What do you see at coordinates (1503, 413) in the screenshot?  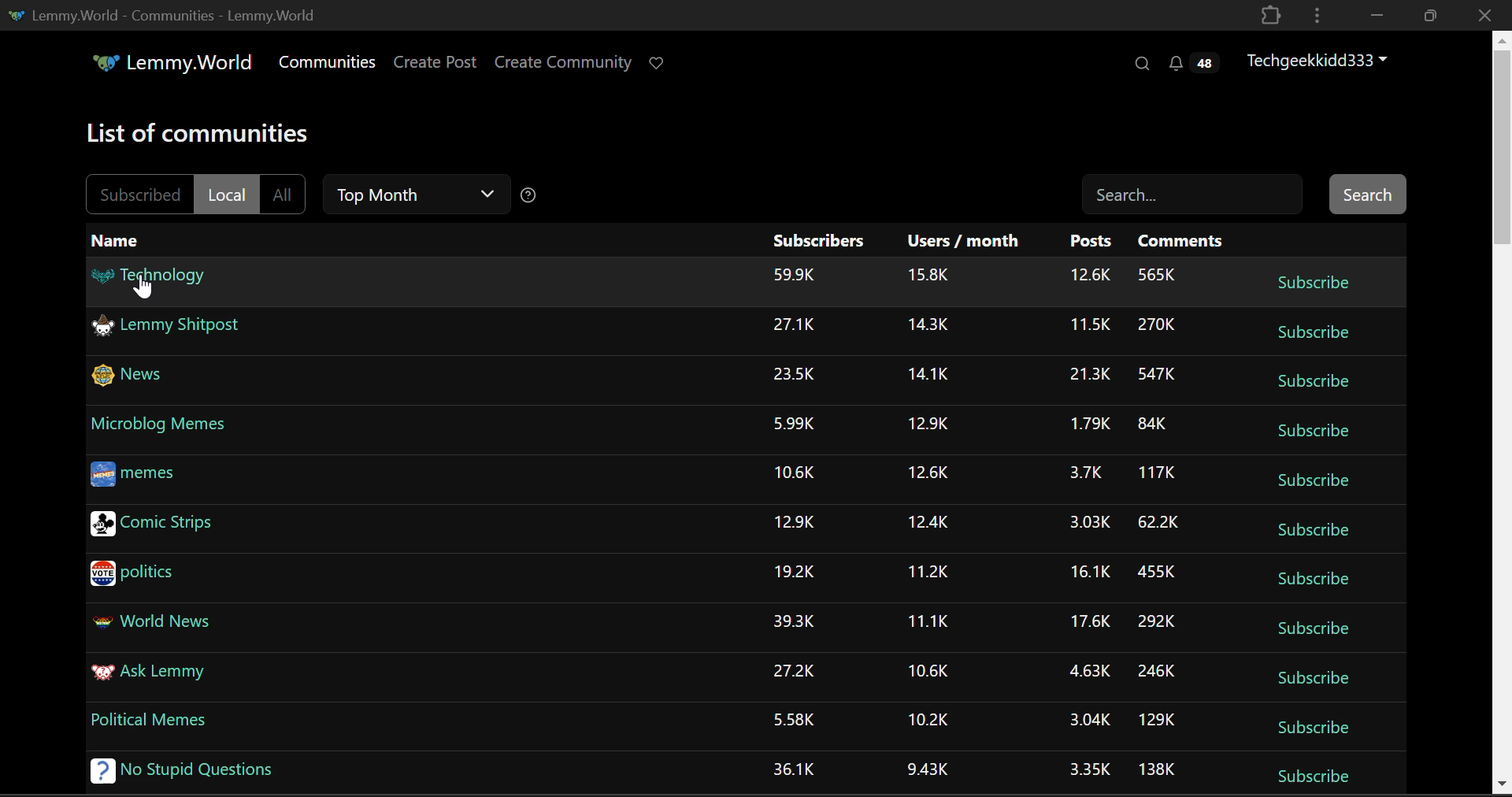 I see `Vertical Scroll Bar` at bounding box center [1503, 413].